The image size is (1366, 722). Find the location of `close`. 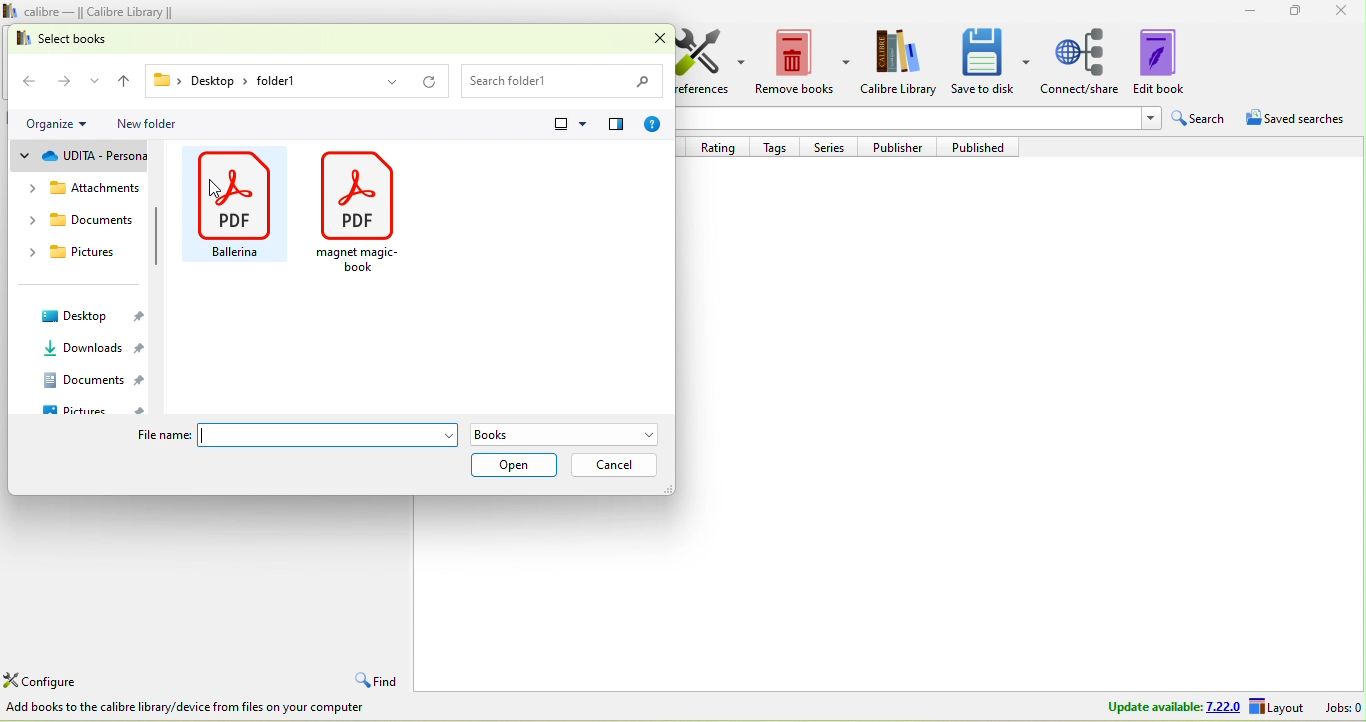

close is located at coordinates (651, 39).